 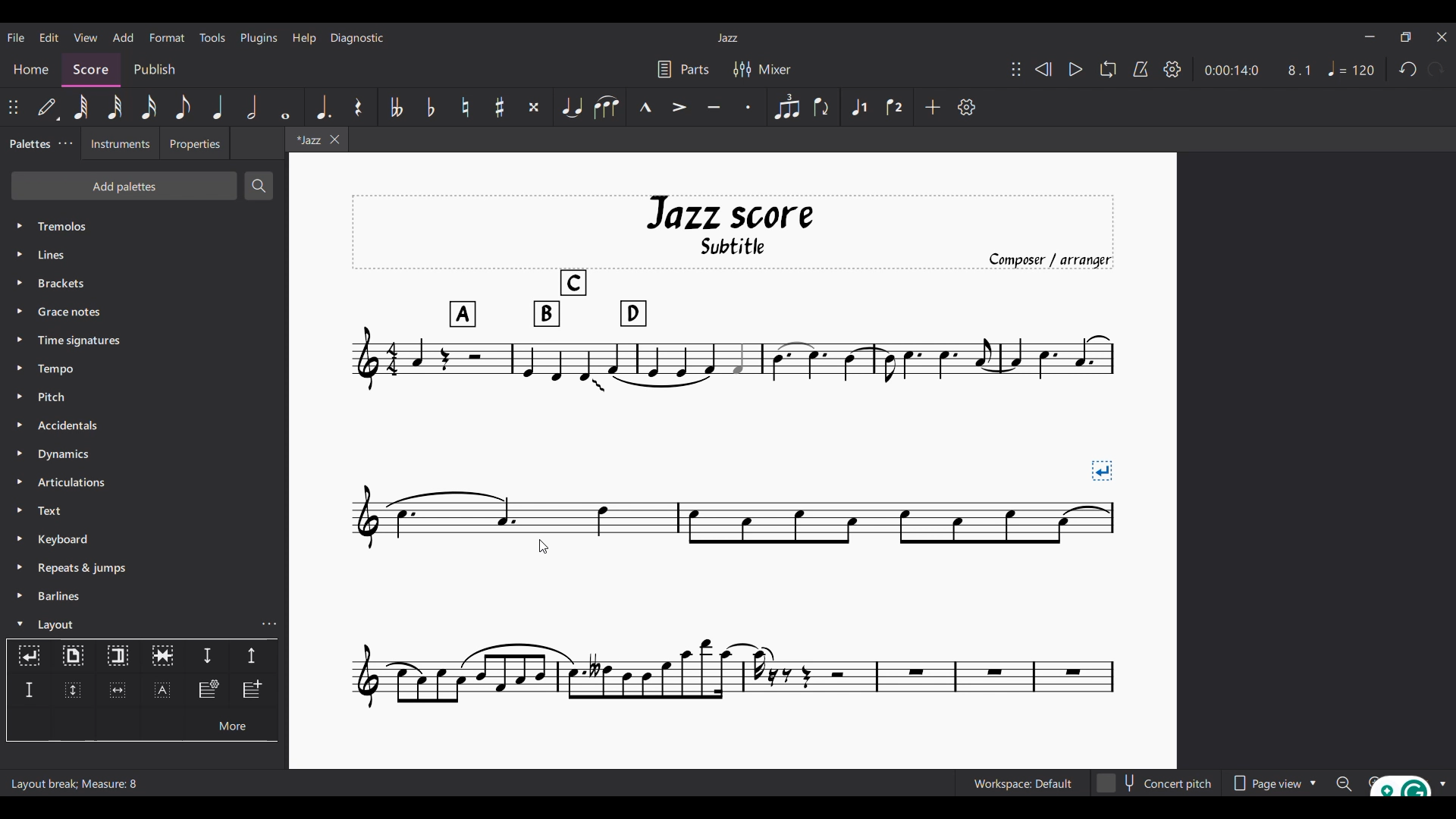 I want to click on Insert horizontal frame, so click(x=118, y=690).